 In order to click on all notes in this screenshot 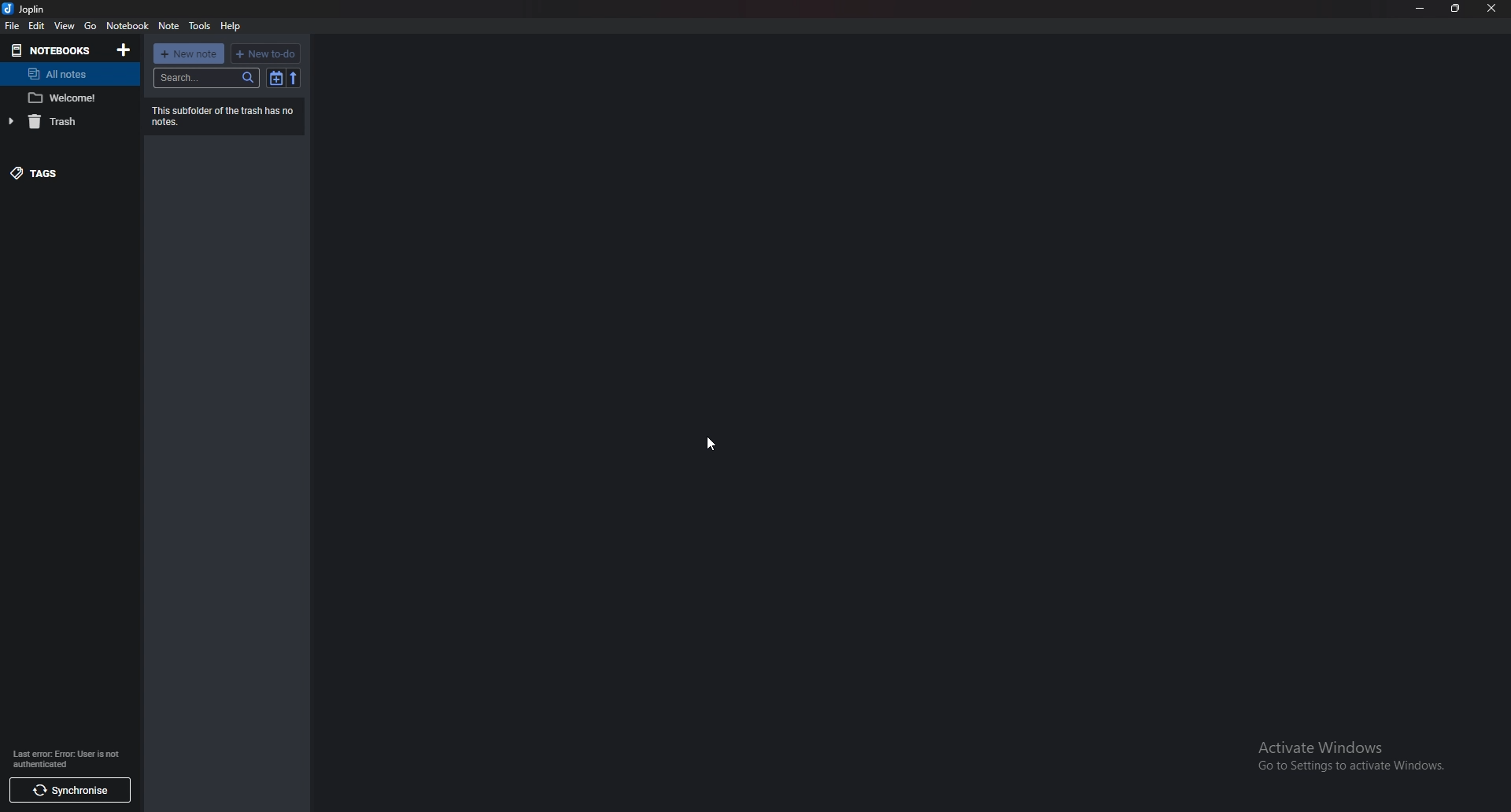, I will do `click(66, 74)`.